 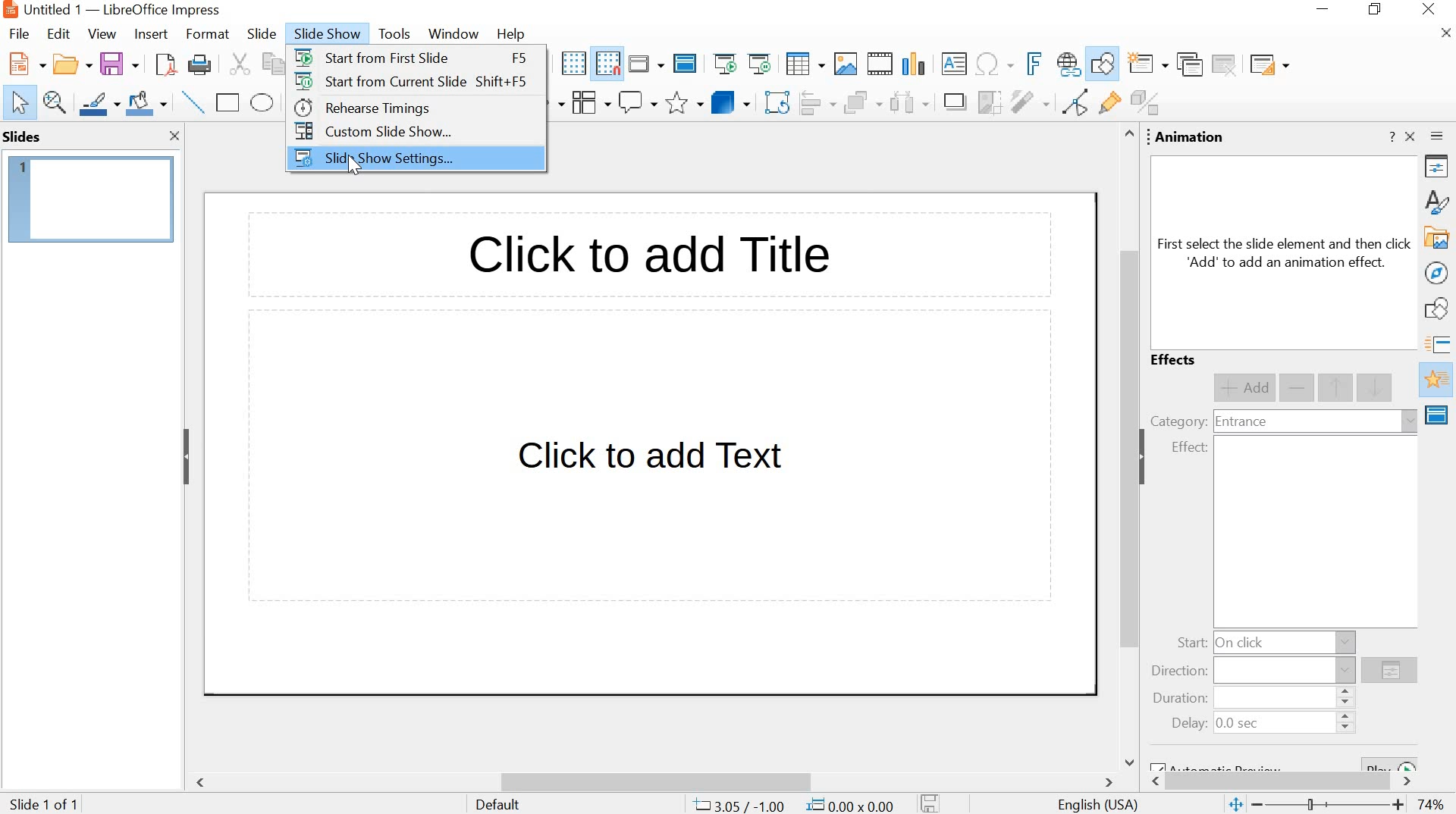 I want to click on delay, so click(x=1189, y=724).